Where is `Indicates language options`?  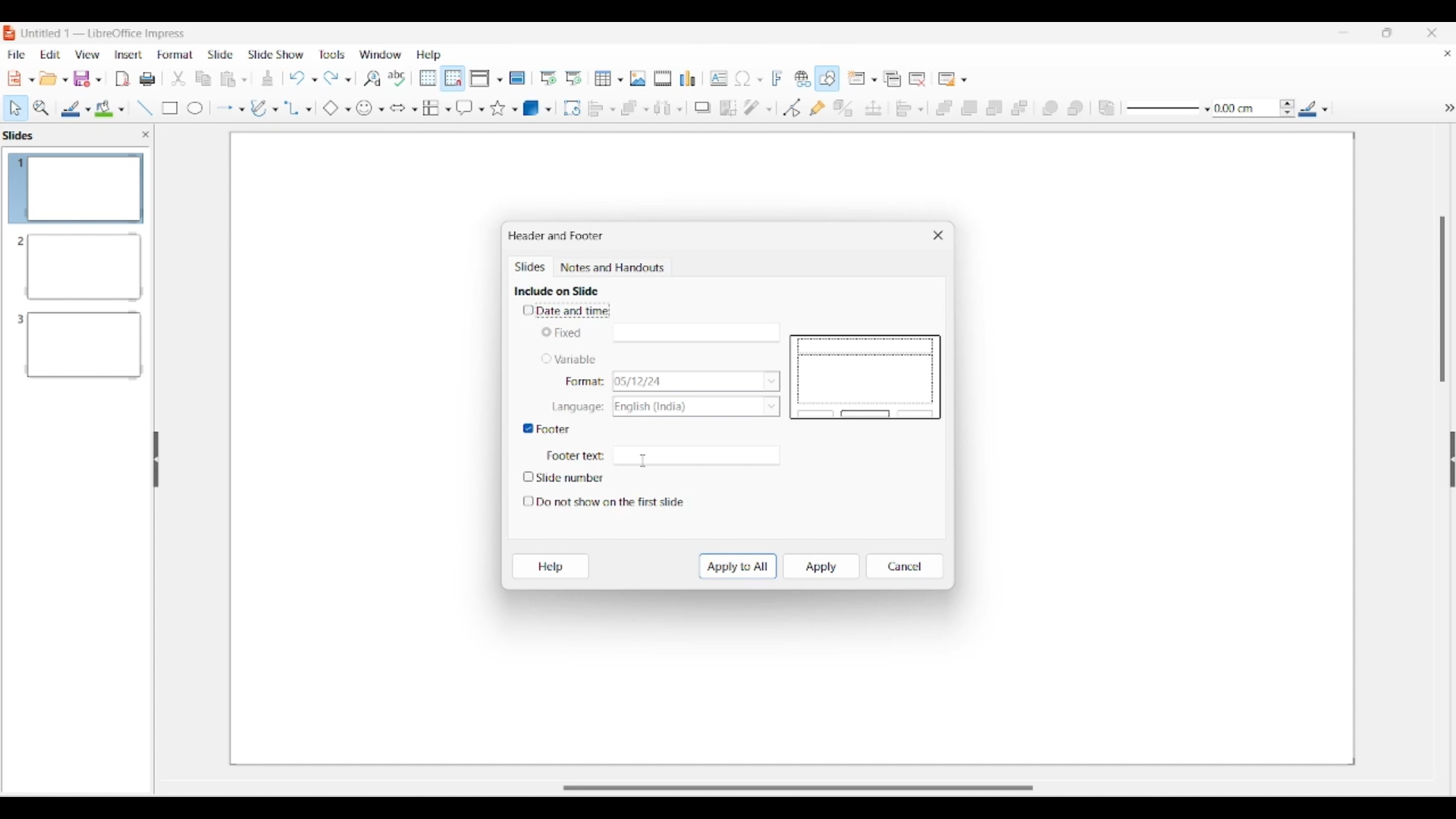 Indicates language options is located at coordinates (576, 408).